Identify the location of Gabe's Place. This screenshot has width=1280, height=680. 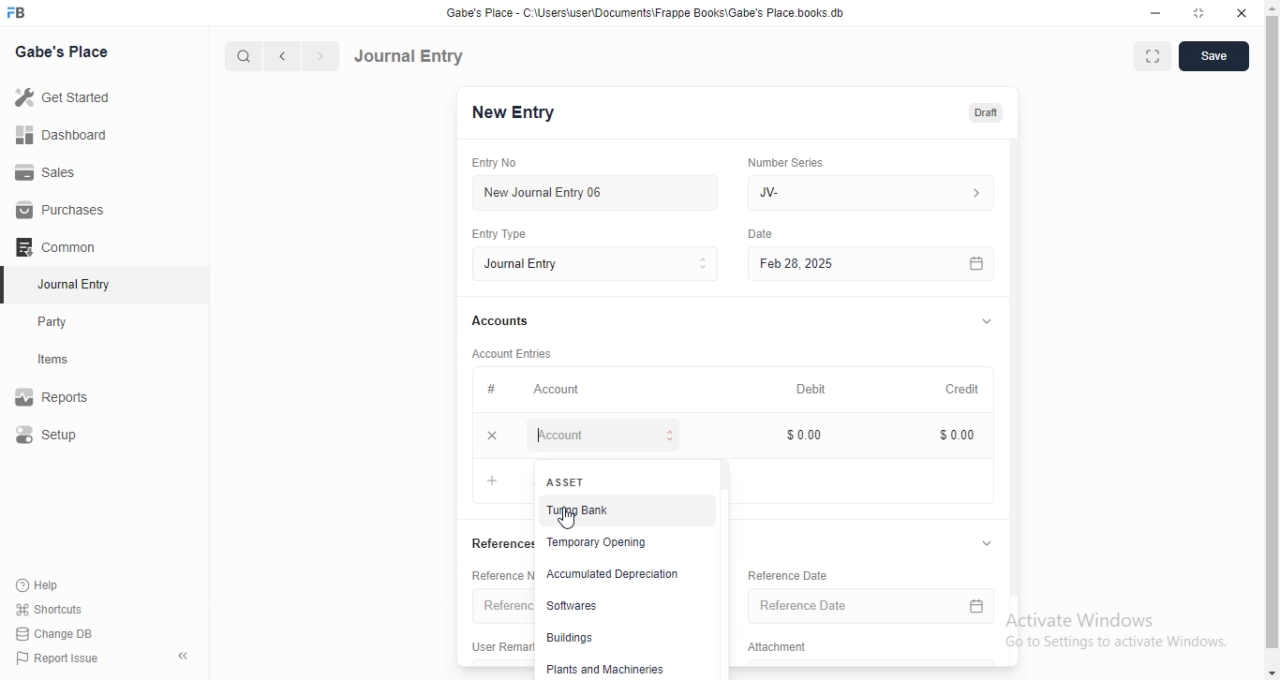
(62, 51).